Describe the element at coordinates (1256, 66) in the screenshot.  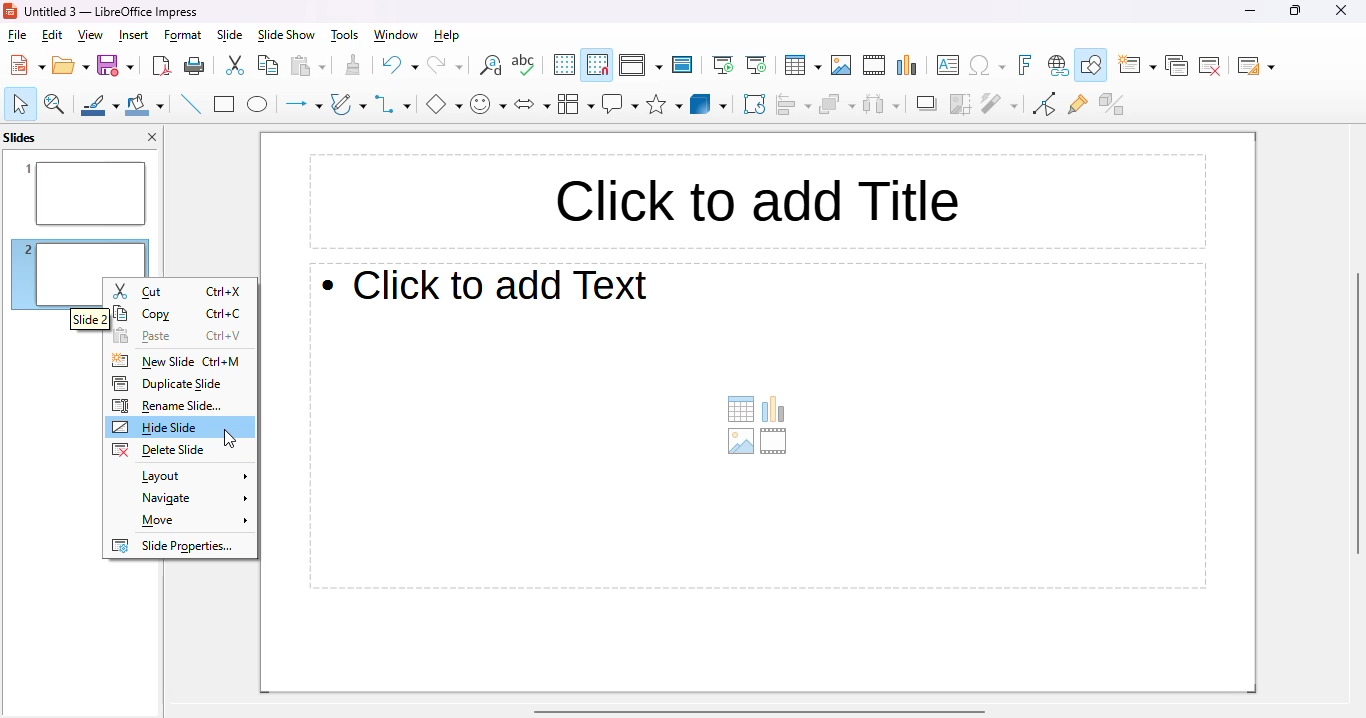
I see `slide layout` at that location.